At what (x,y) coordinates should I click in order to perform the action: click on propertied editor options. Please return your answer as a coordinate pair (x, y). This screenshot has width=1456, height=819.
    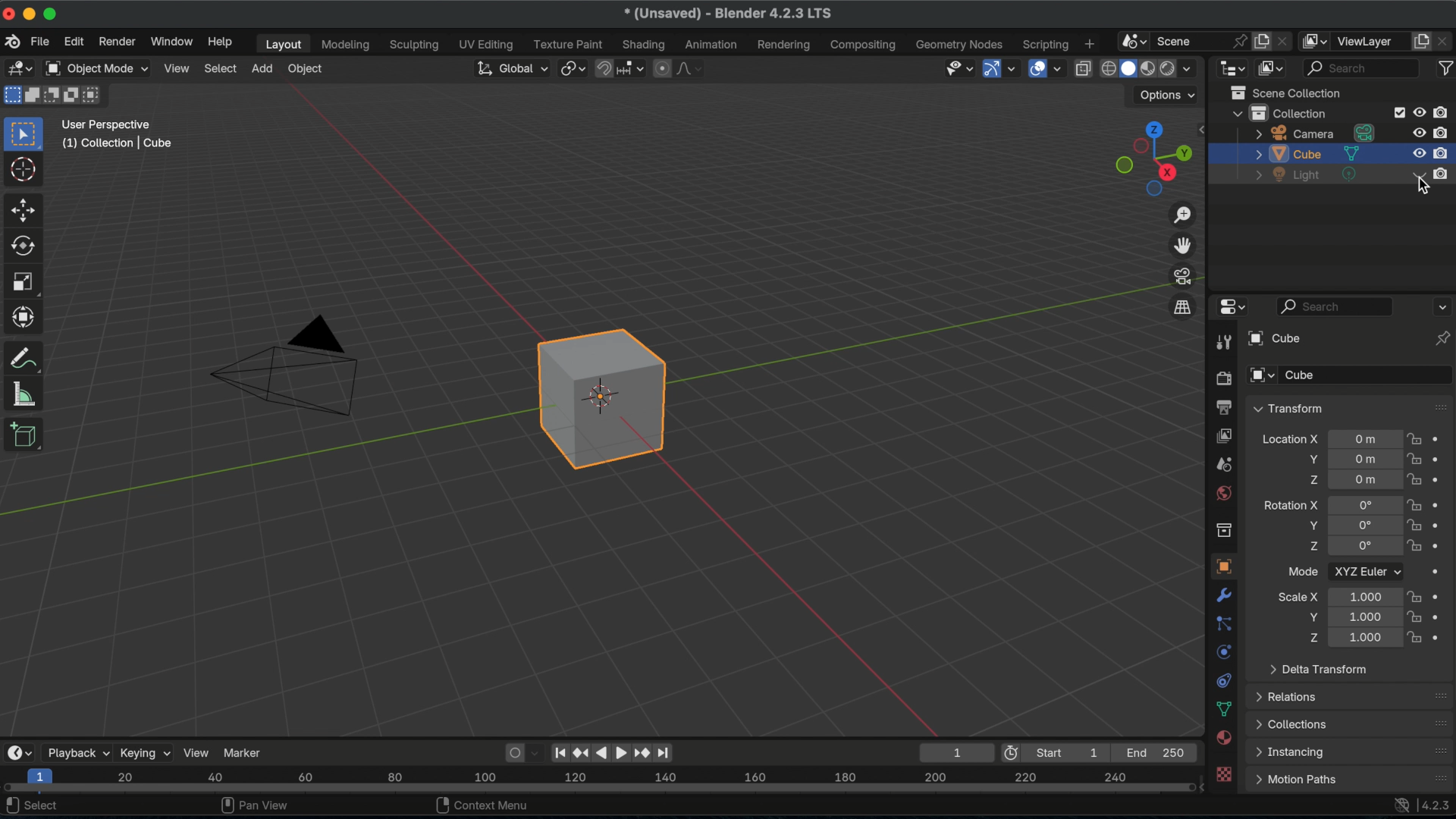
    Looking at the image, I should click on (1441, 307).